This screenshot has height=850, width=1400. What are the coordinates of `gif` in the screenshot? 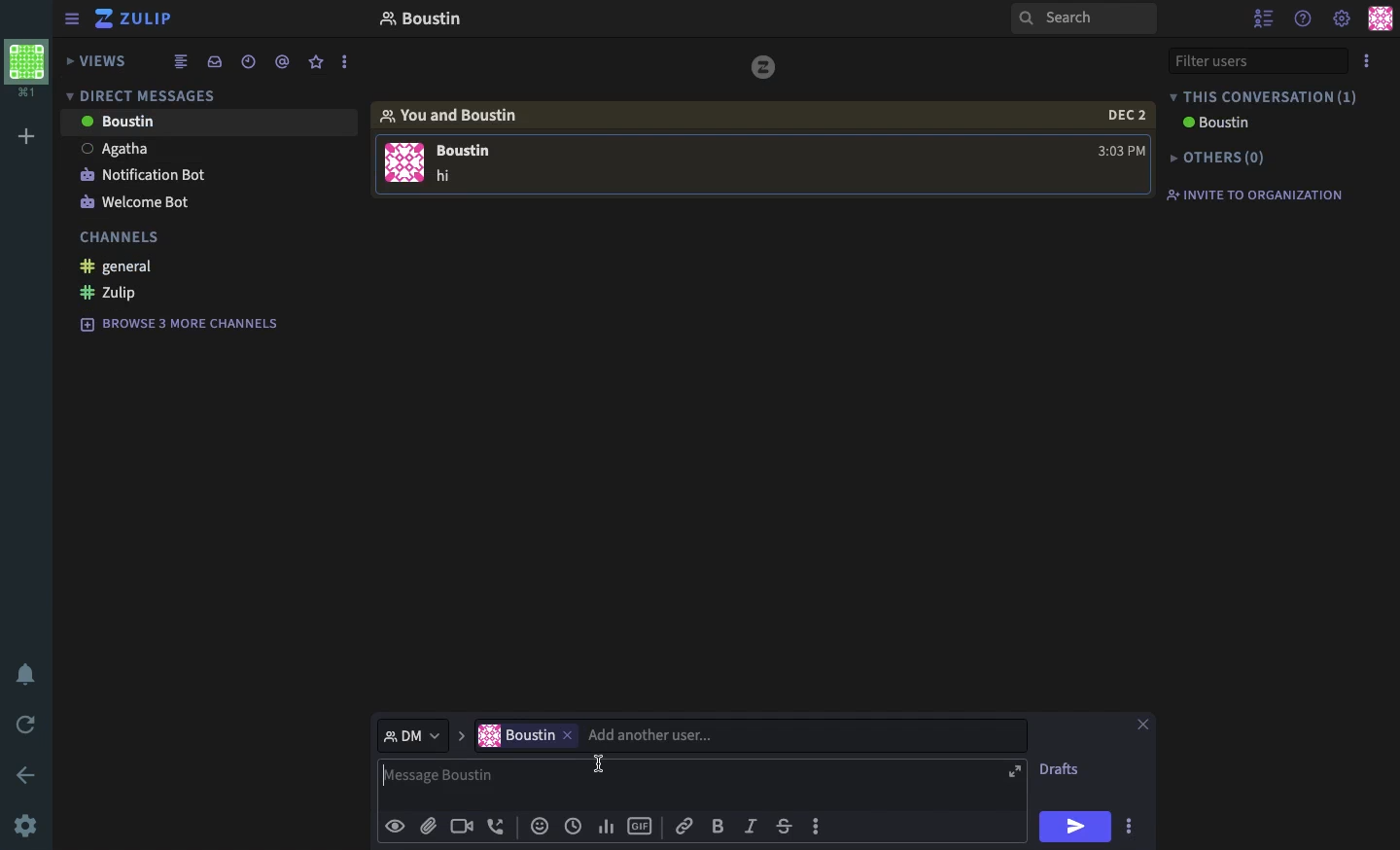 It's located at (642, 826).